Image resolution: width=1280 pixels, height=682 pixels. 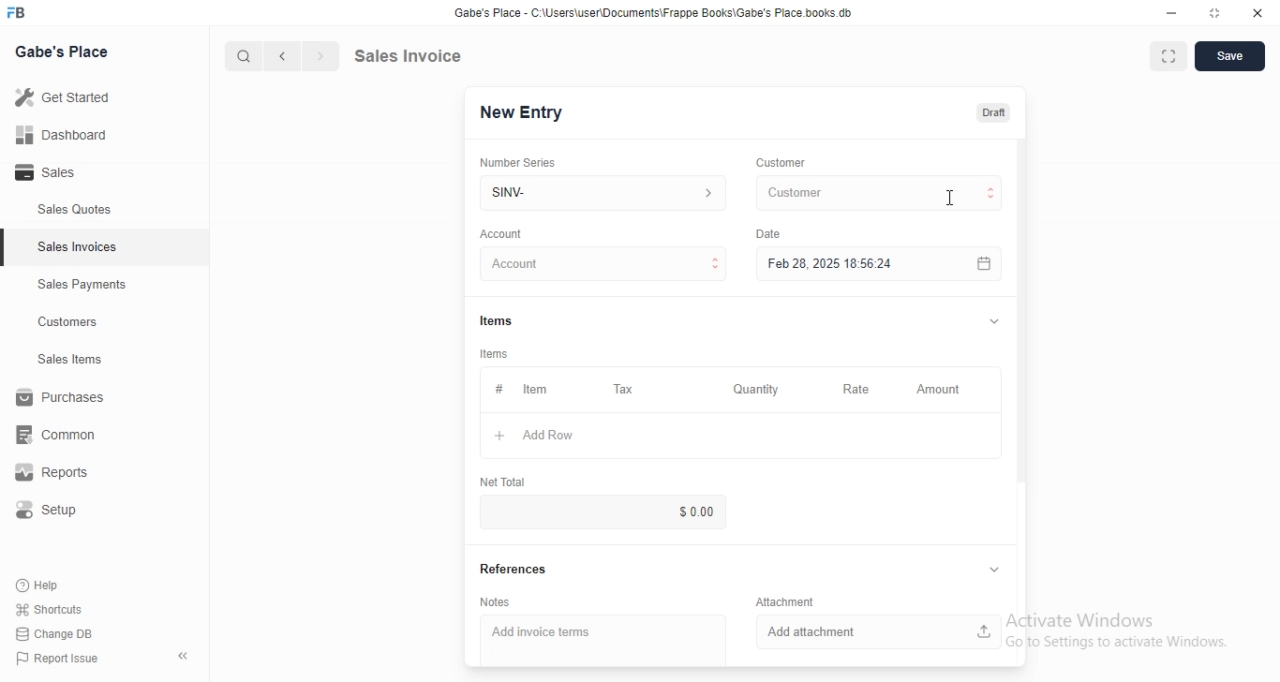 What do you see at coordinates (528, 112) in the screenshot?
I see `New Entry` at bounding box center [528, 112].